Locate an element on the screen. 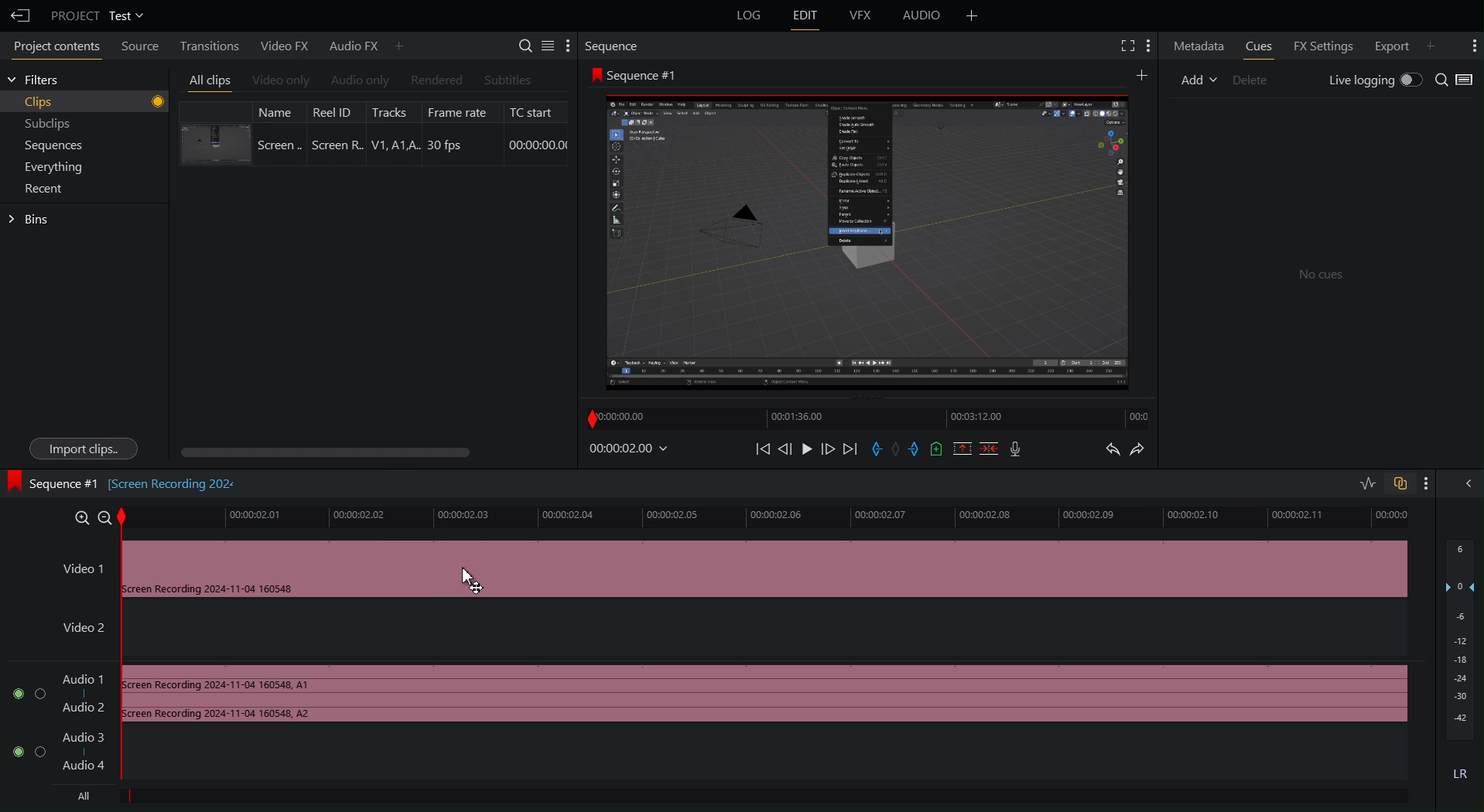 This screenshot has width=1484, height=812. Sequences is located at coordinates (46, 146).